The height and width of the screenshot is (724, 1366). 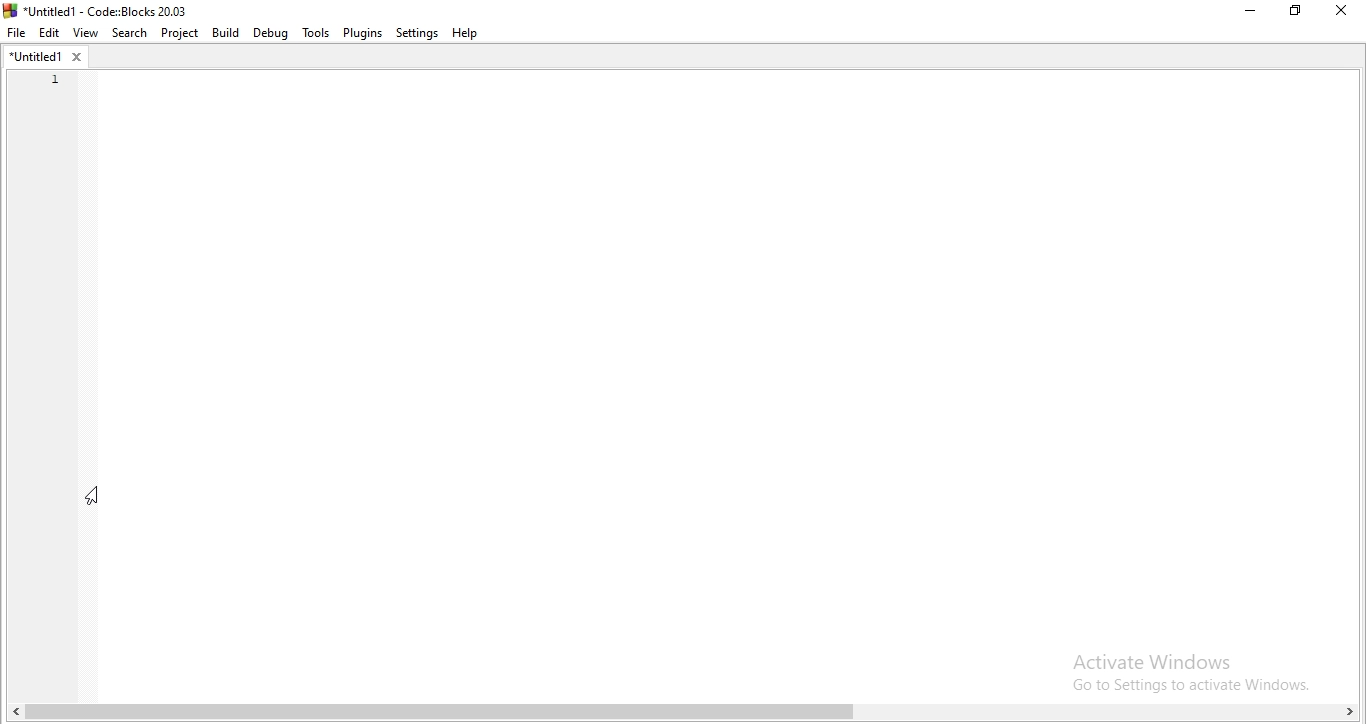 What do you see at coordinates (466, 33) in the screenshot?
I see `Help` at bounding box center [466, 33].